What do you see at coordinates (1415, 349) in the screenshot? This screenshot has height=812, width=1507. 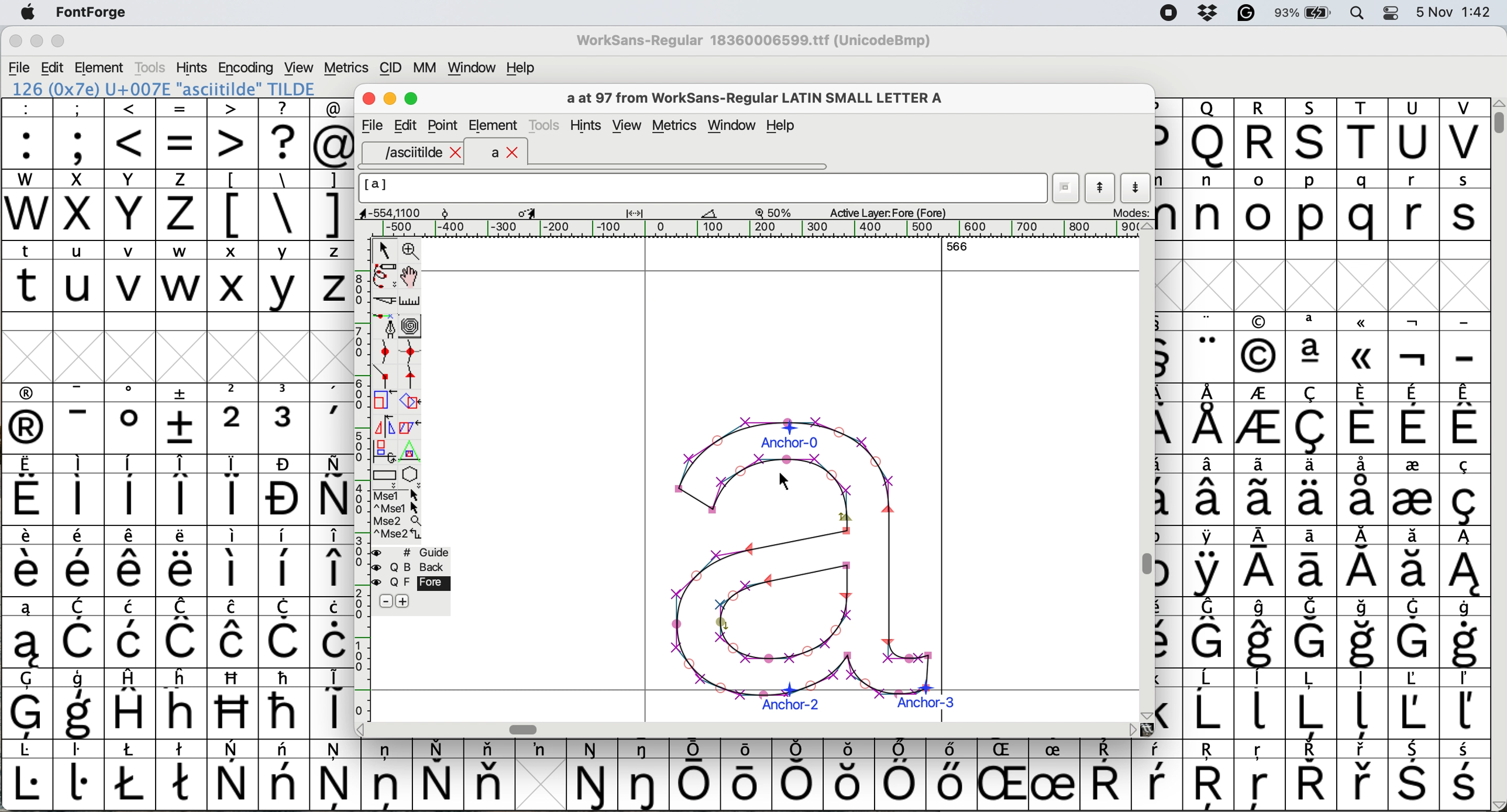 I see `symbol` at bounding box center [1415, 349].